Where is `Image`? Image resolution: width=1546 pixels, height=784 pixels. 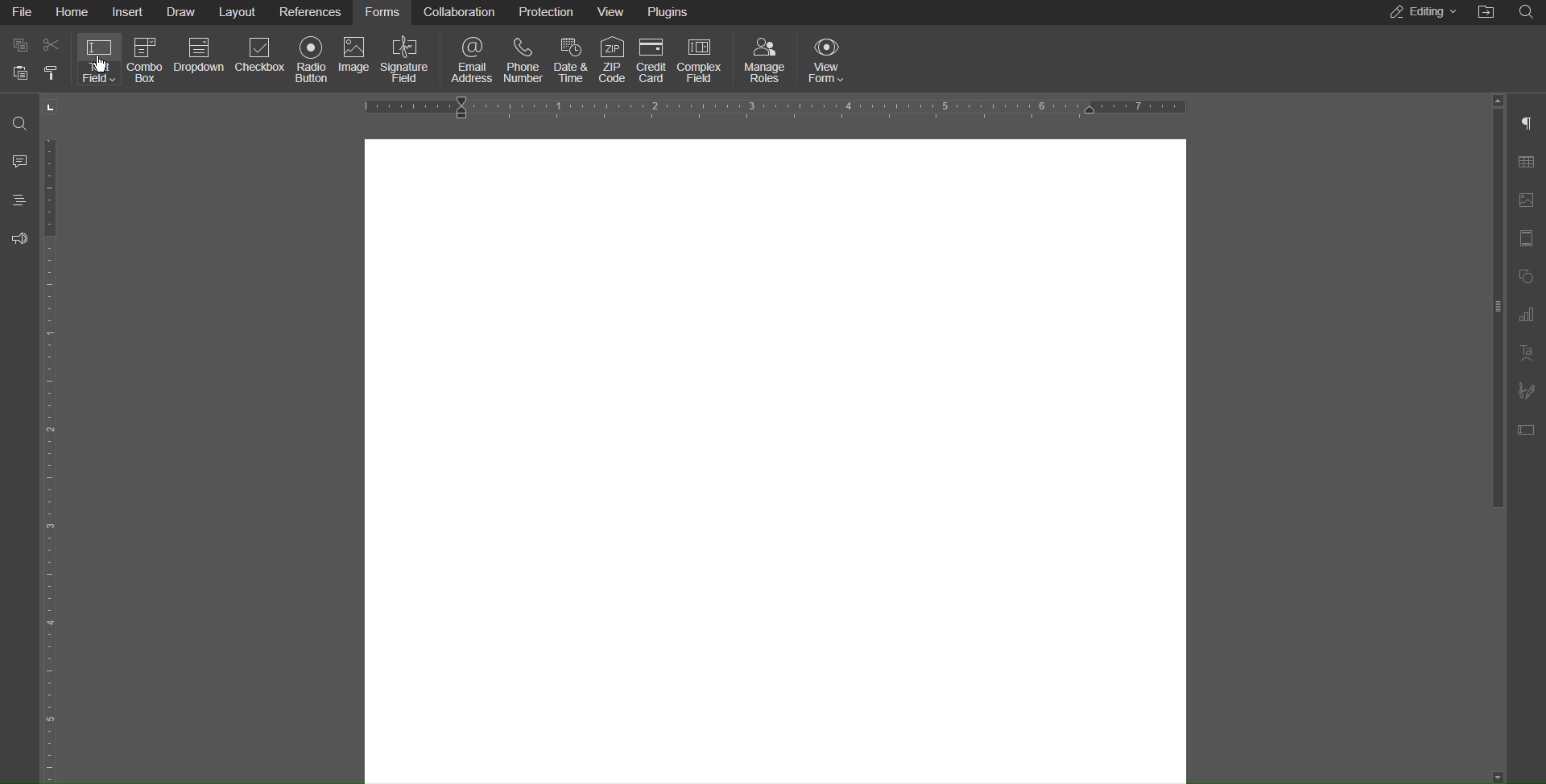 Image is located at coordinates (356, 57).